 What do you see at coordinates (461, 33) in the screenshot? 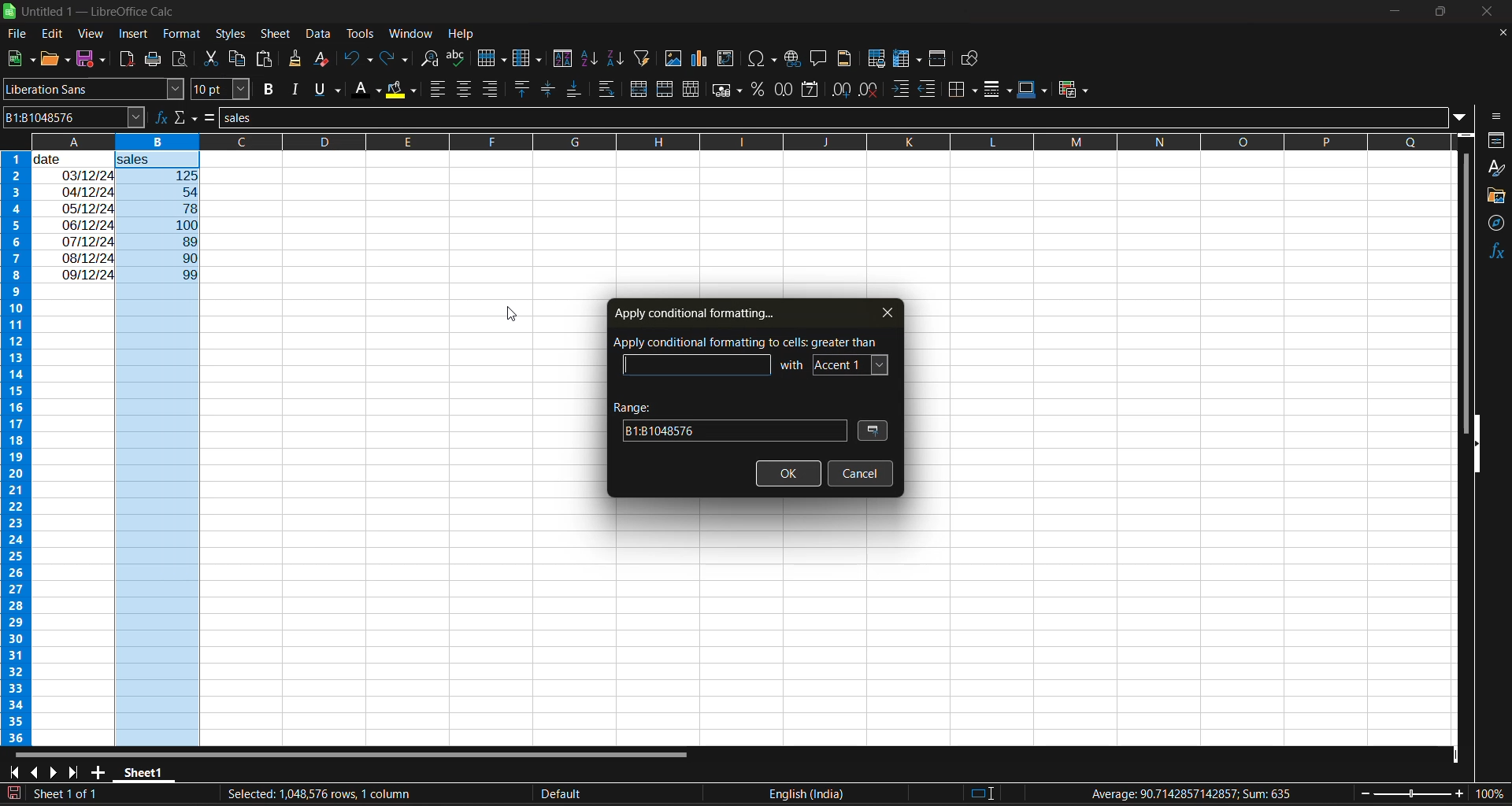
I see `help` at bounding box center [461, 33].